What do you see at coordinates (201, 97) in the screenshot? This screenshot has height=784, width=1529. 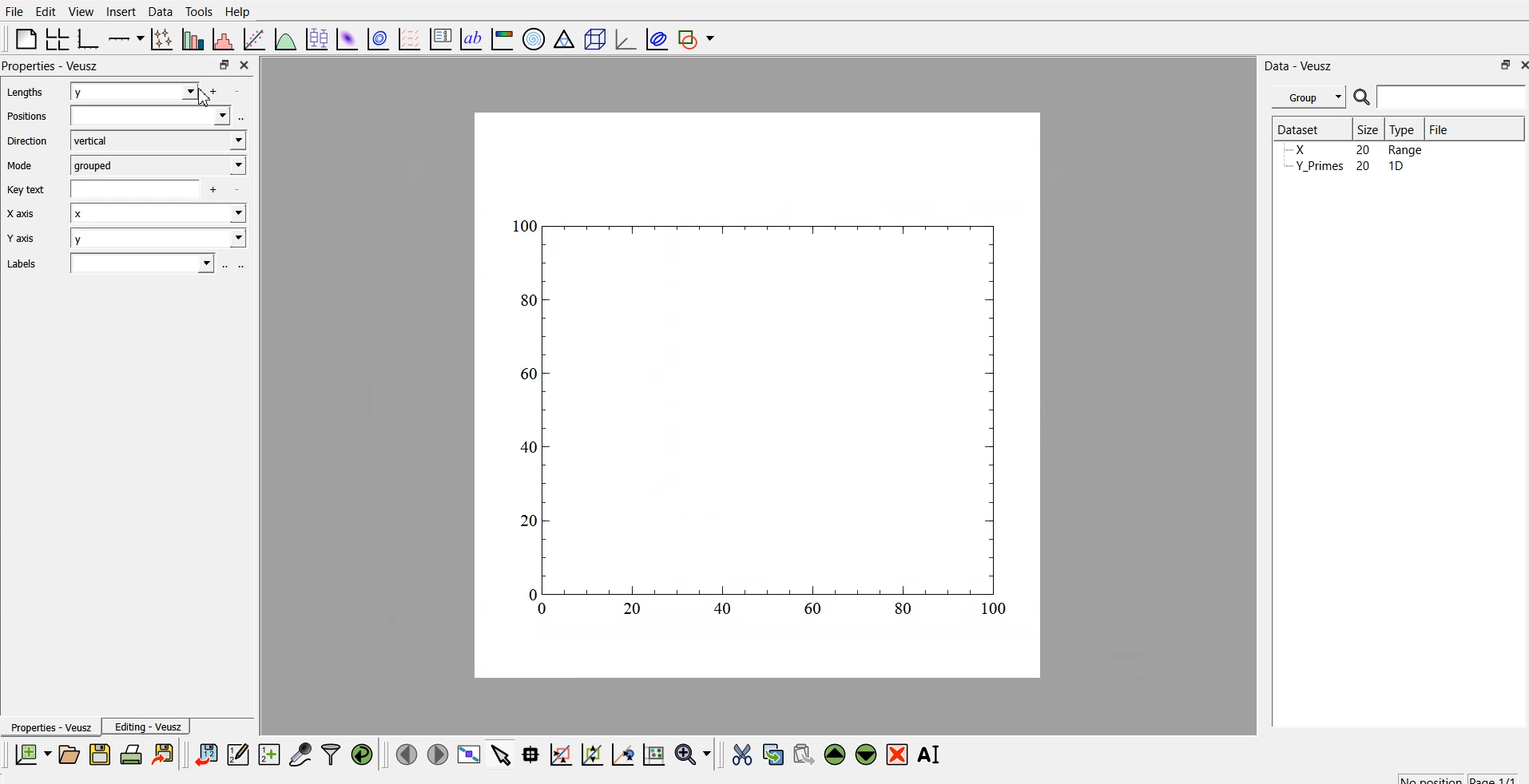 I see `cursor` at bounding box center [201, 97].